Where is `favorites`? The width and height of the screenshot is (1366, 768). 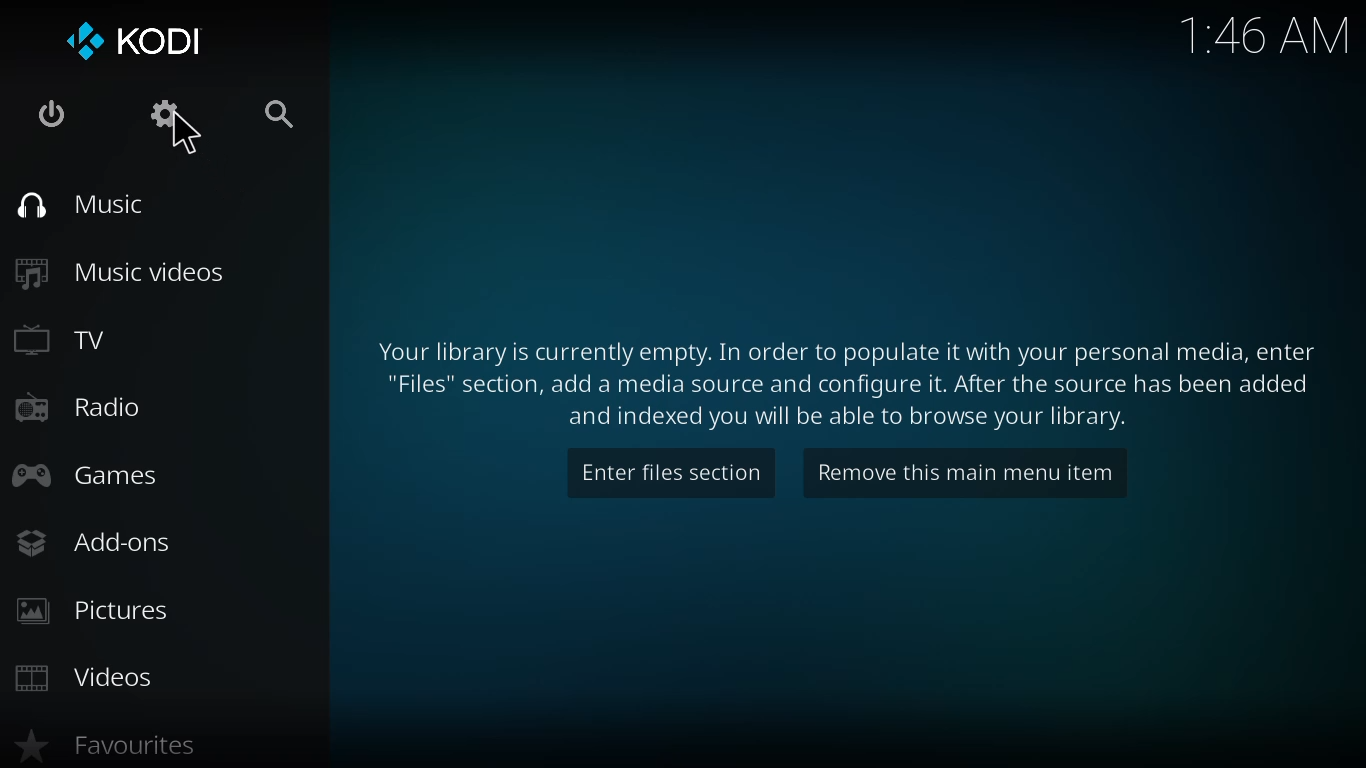 favorites is located at coordinates (105, 744).